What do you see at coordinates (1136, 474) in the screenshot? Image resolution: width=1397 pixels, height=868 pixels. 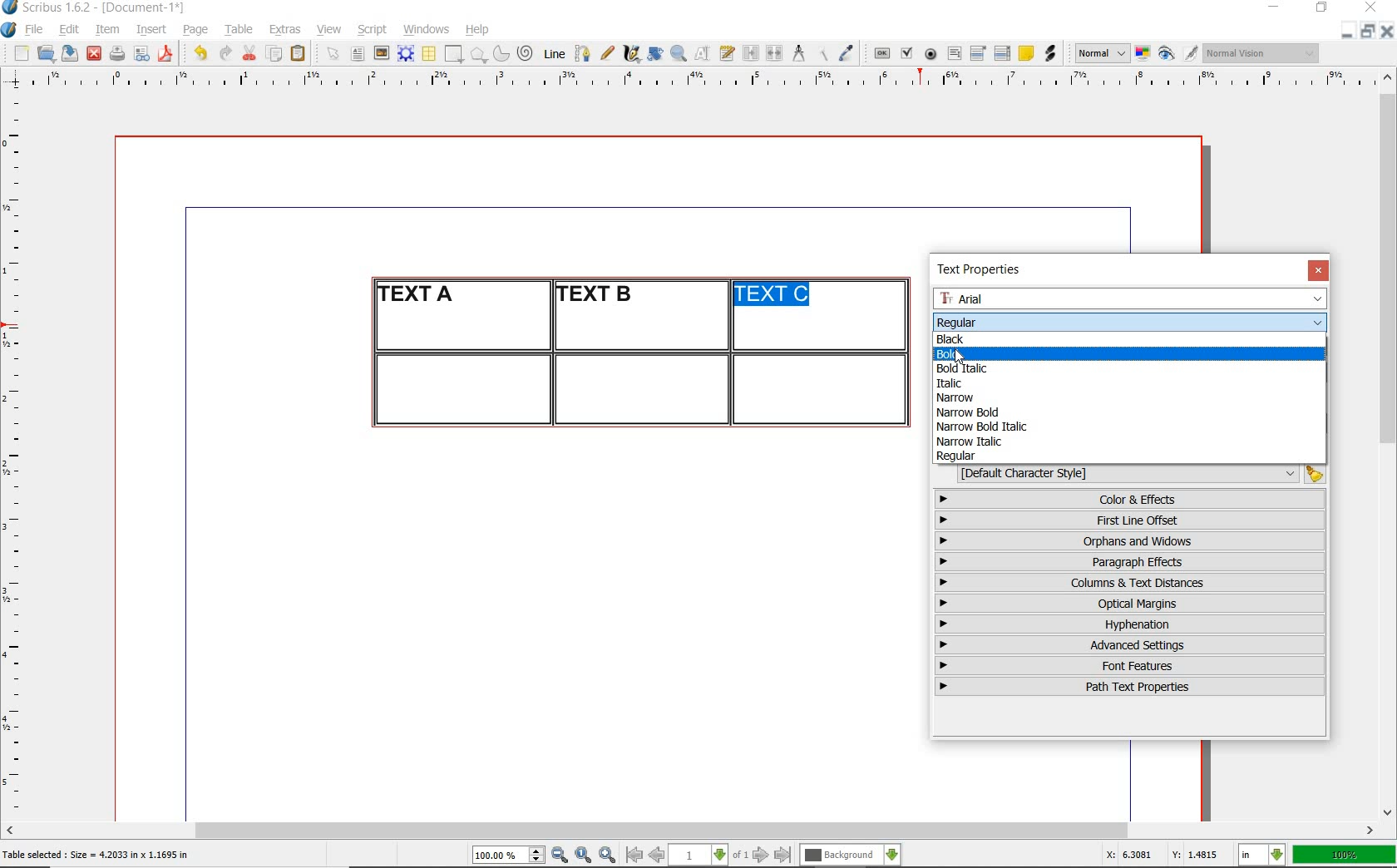 I see `default character style` at bounding box center [1136, 474].